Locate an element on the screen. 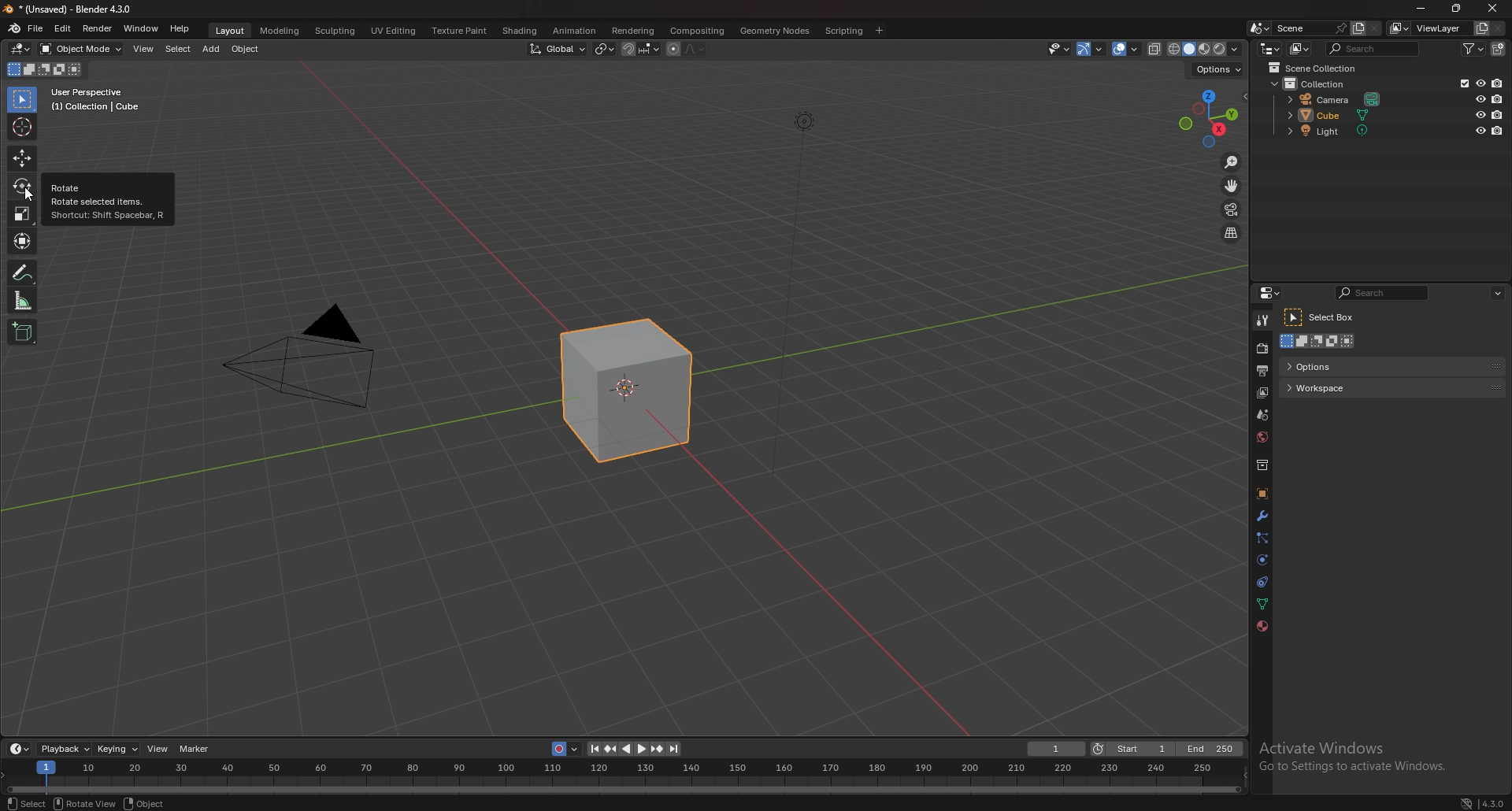 This screenshot has height=811, width=1512. disable in render is located at coordinates (1499, 130).